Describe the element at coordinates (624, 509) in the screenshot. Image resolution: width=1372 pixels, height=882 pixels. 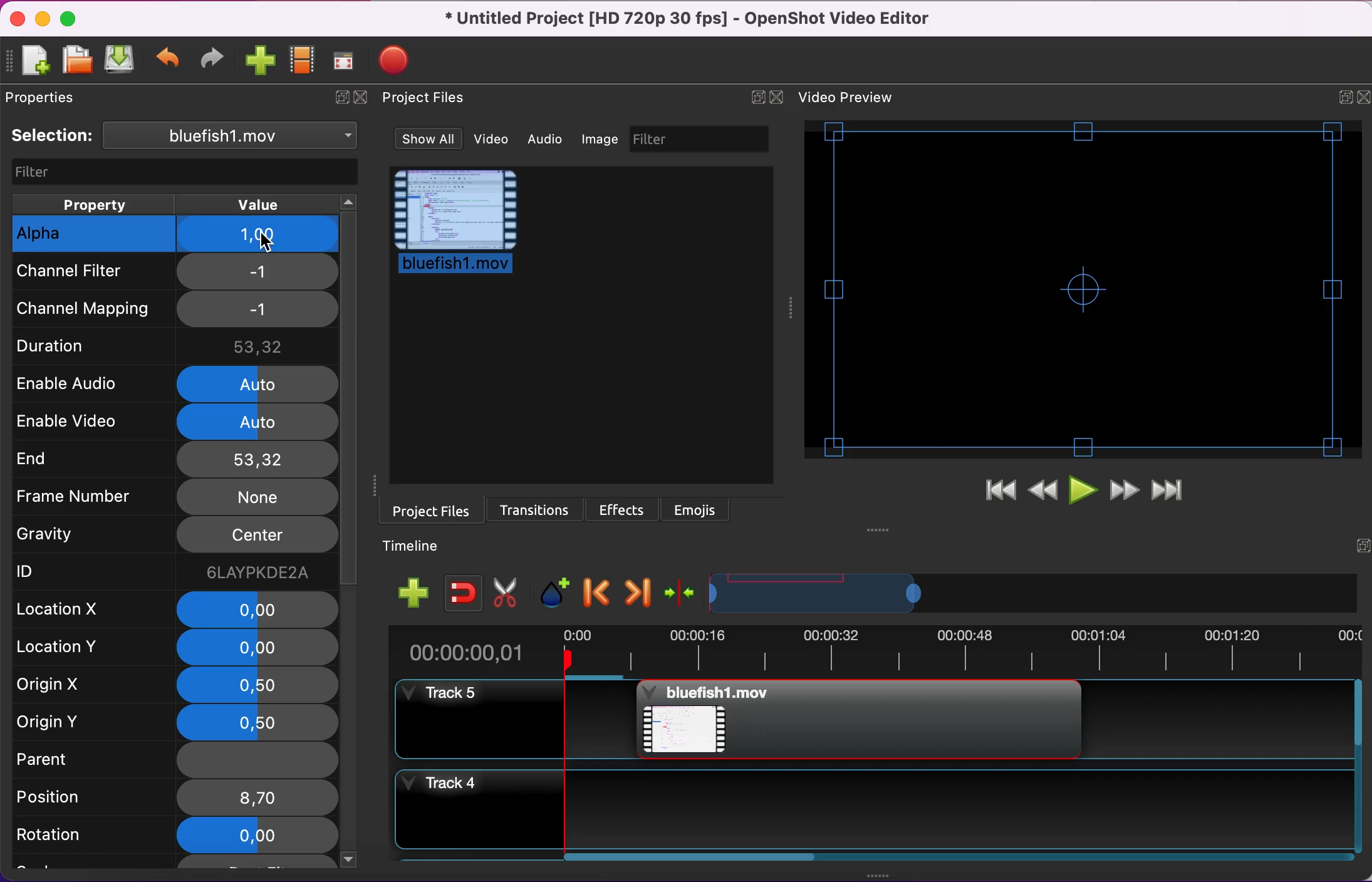
I see `effects` at that location.